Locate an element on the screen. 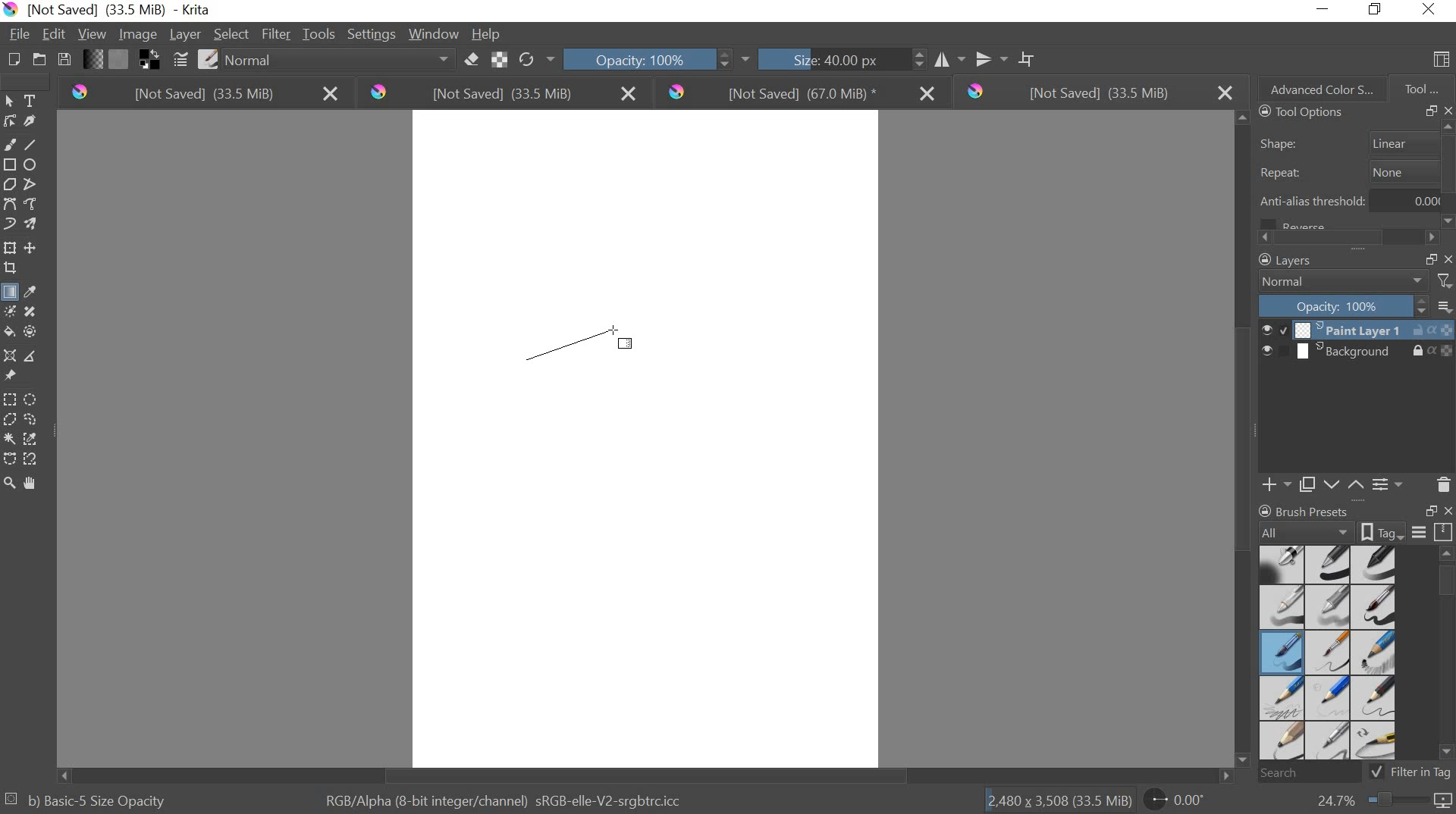 This screenshot has height=814, width=1456. continuous selection is located at coordinates (9, 438).